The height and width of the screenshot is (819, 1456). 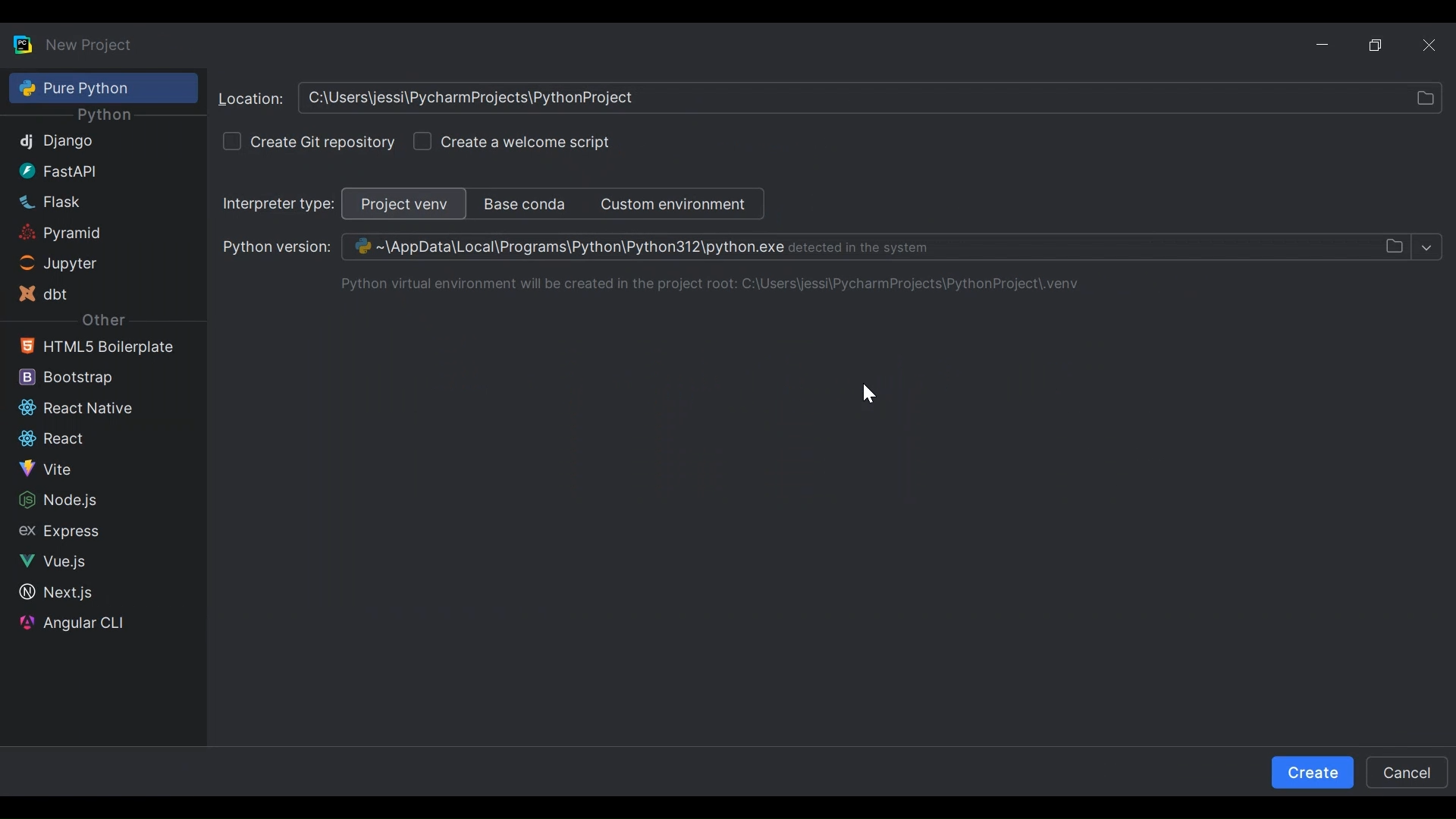 What do you see at coordinates (96, 377) in the screenshot?
I see `Bootstrap` at bounding box center [96, 377].